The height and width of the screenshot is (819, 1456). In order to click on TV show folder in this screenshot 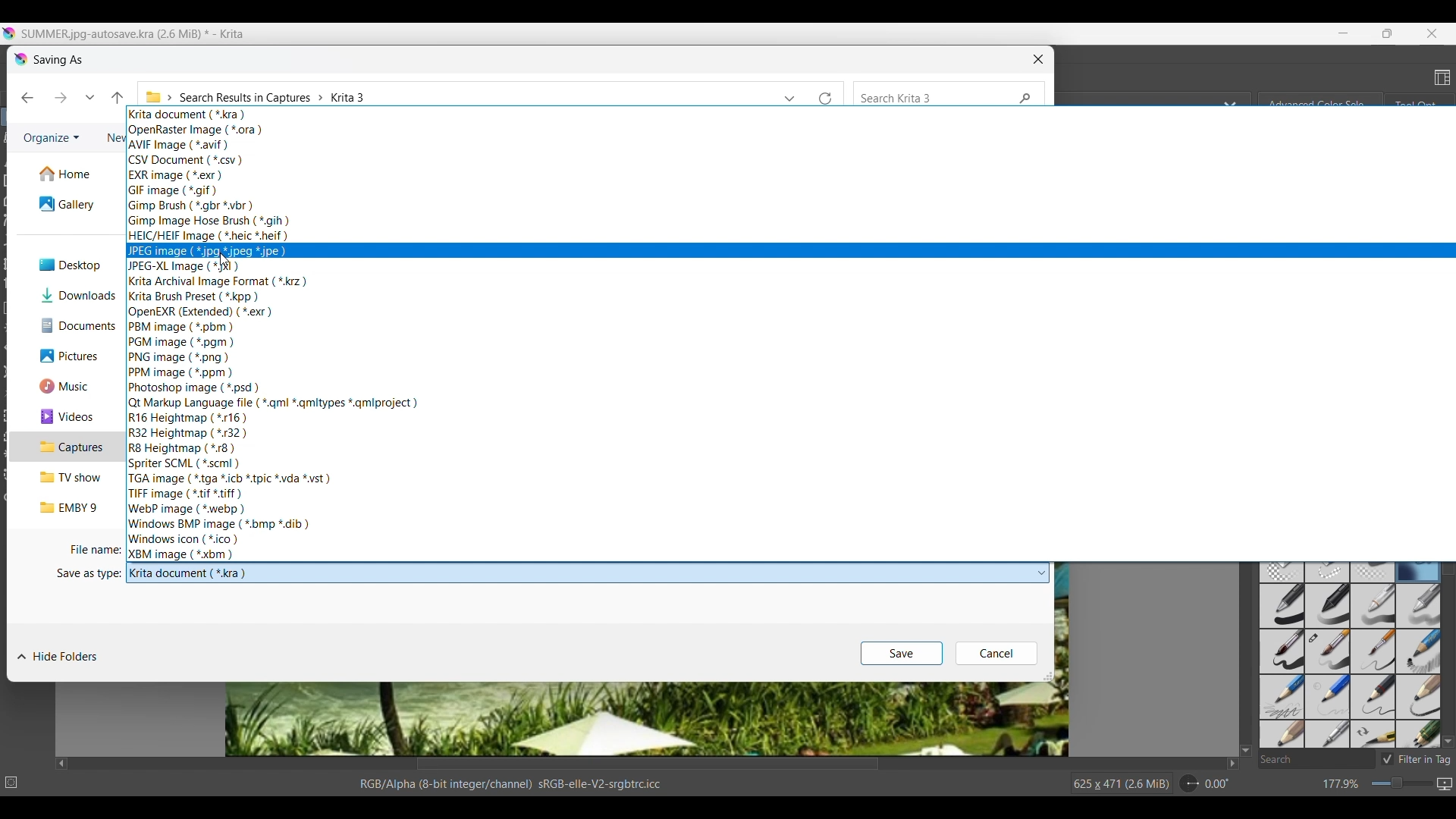, I will do `click(64, 476)`.